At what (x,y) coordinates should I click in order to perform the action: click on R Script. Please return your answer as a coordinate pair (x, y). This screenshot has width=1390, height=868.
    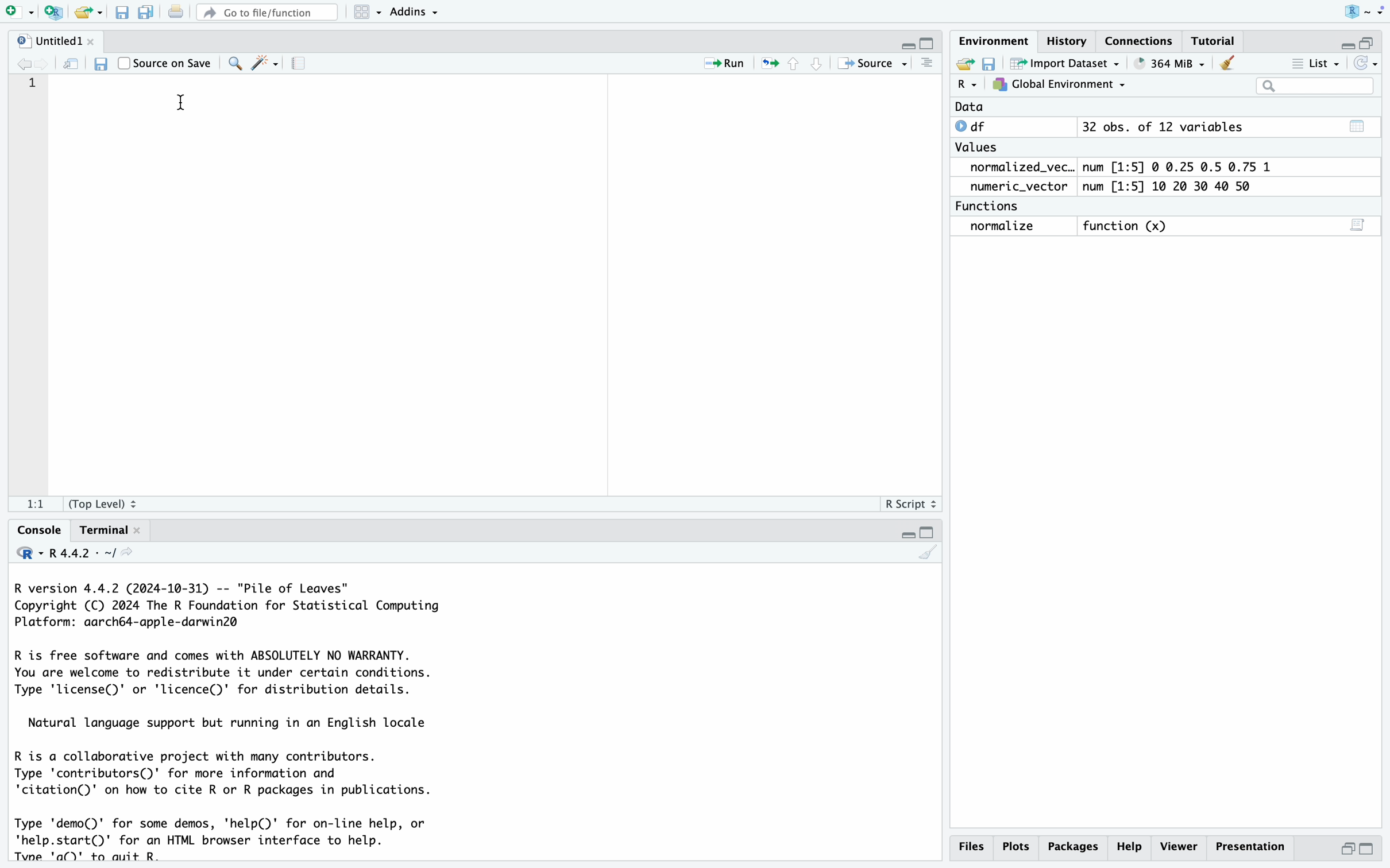
    Looking at the image, I should click on (910, 503).